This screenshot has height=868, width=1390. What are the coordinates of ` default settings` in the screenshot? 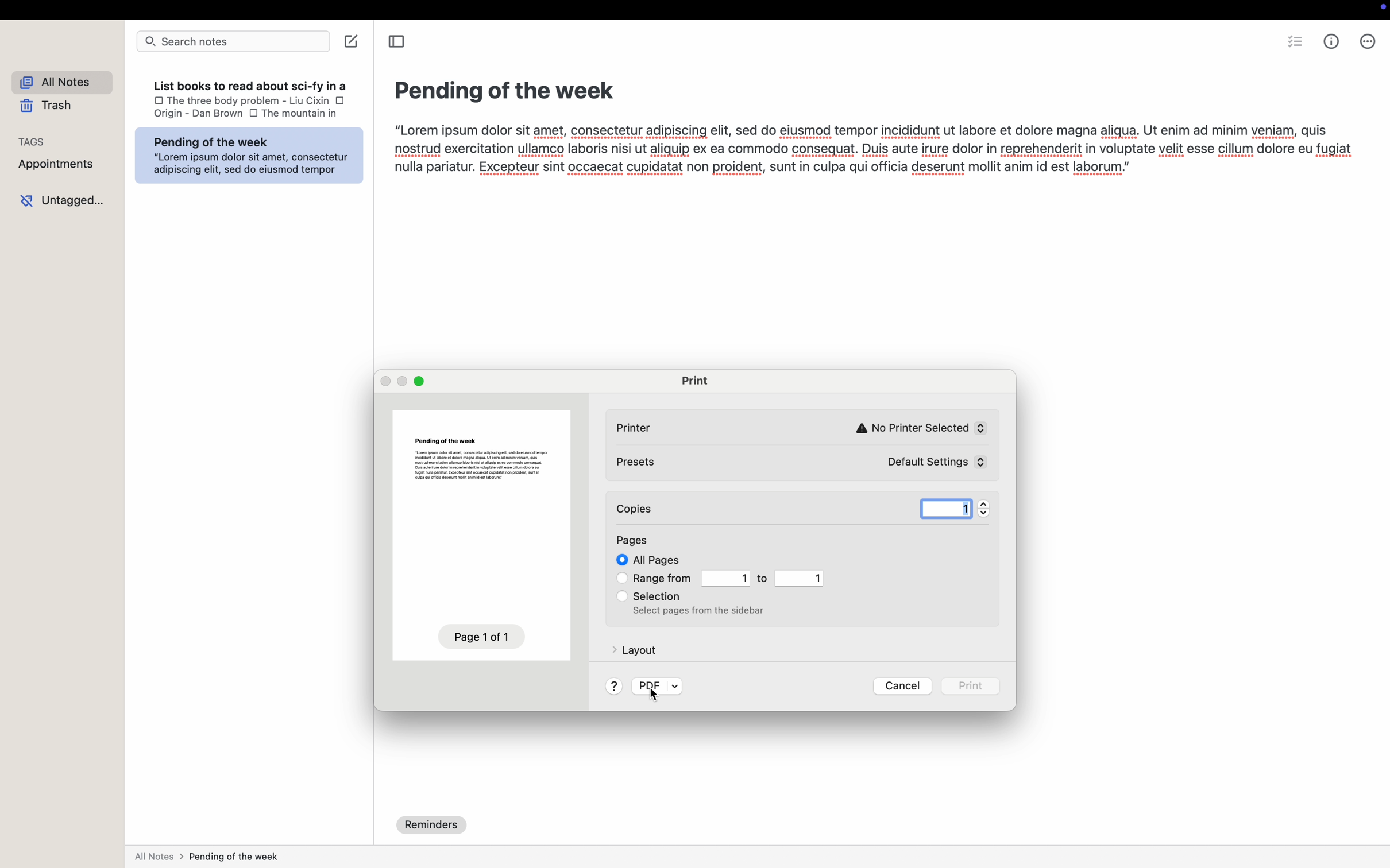 It's located at (927, 462).